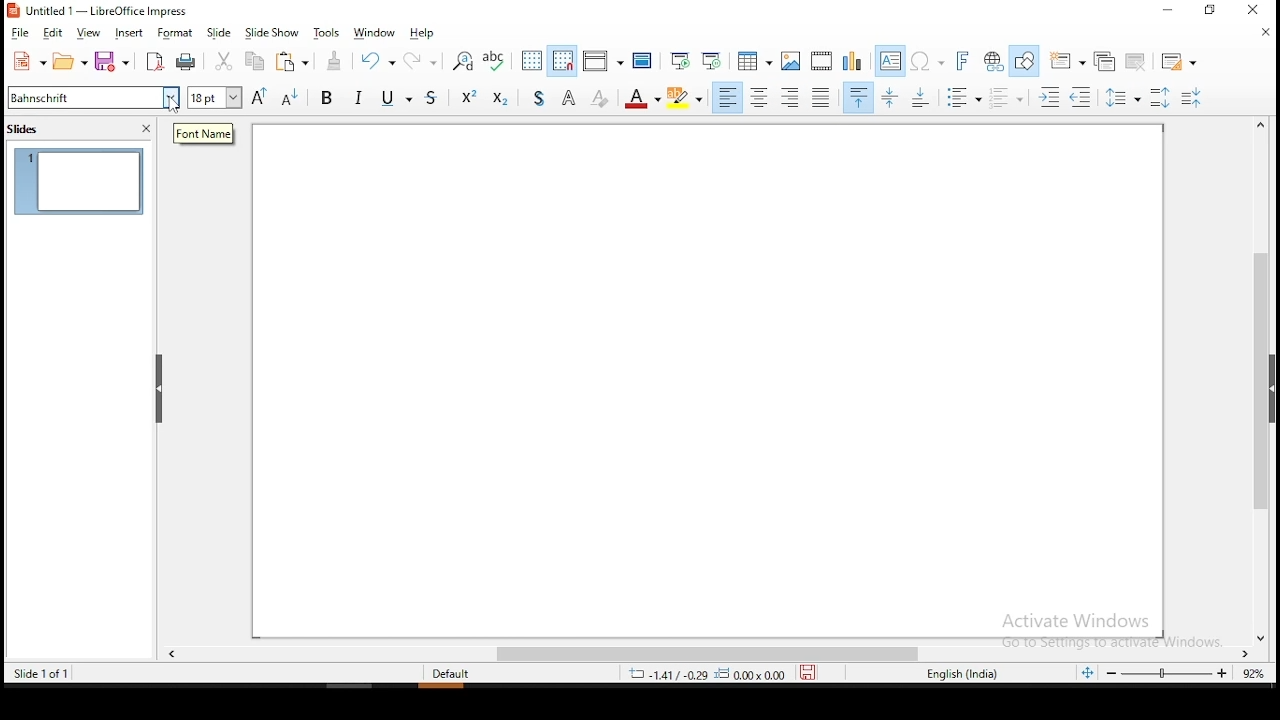  I want to click on align top, so click(859, 97).